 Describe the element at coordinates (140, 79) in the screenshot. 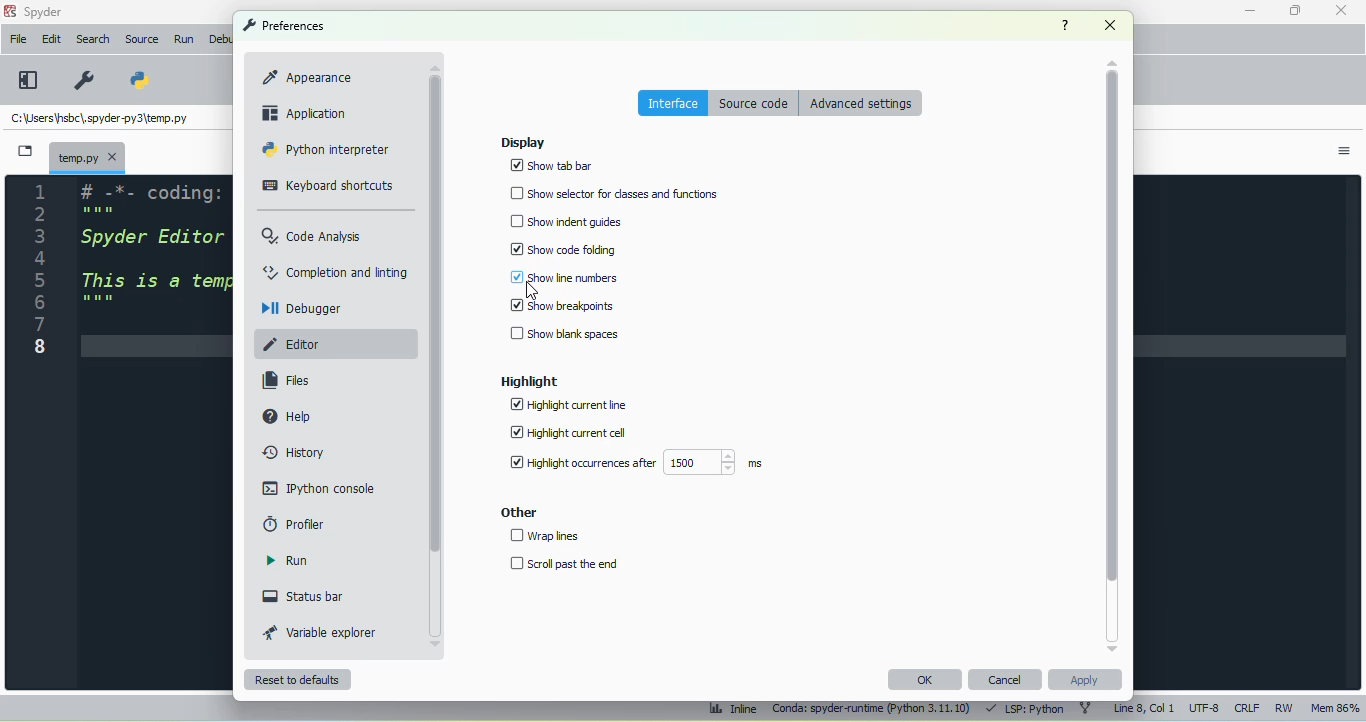

I see `PYTHONPATH manager` at that location.